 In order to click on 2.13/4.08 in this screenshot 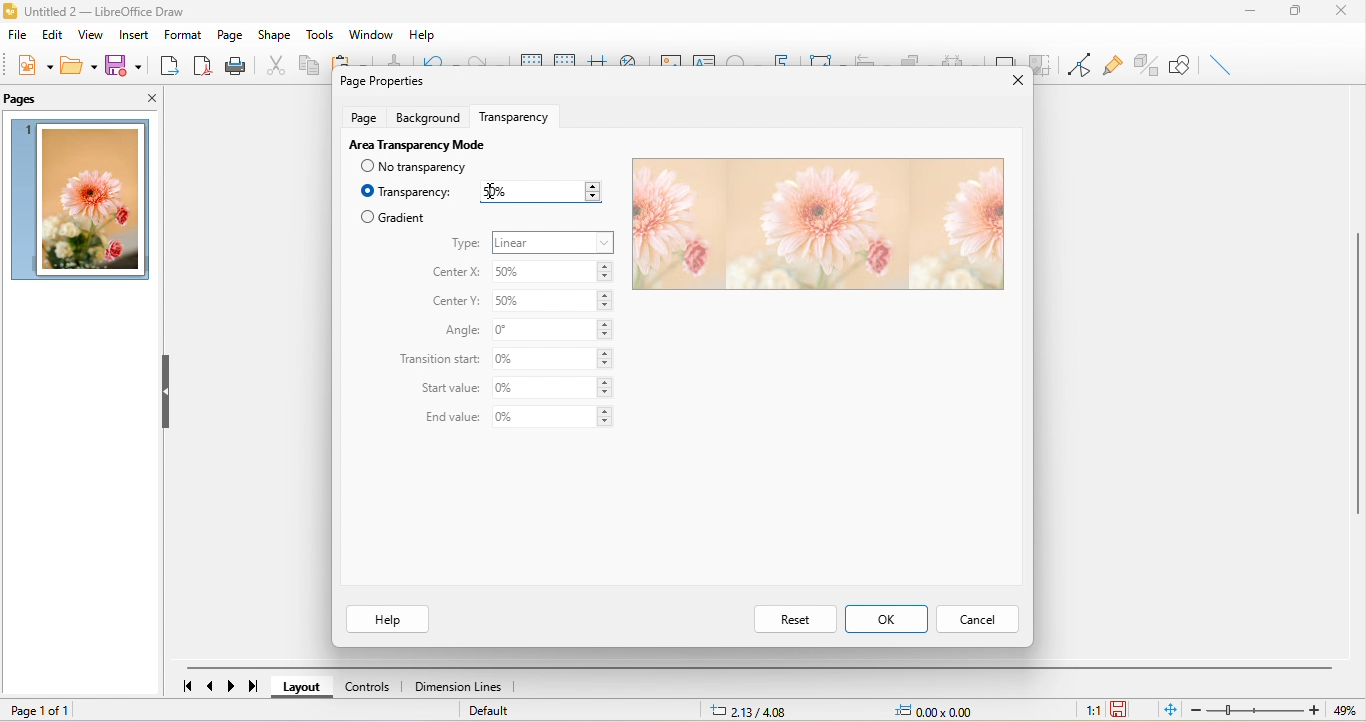, I will do `click(753, 711)`.